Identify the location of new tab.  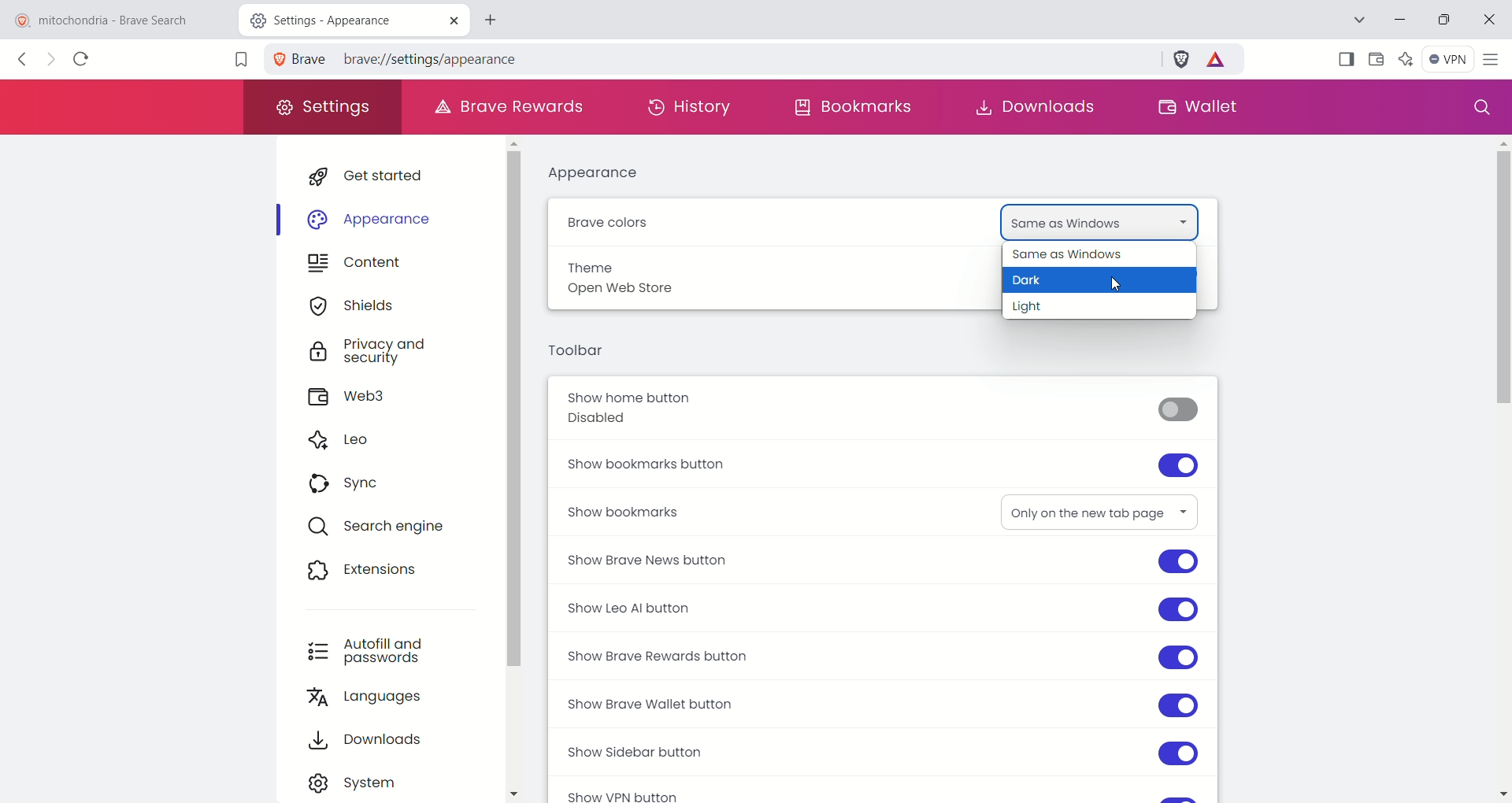
(497, 18).